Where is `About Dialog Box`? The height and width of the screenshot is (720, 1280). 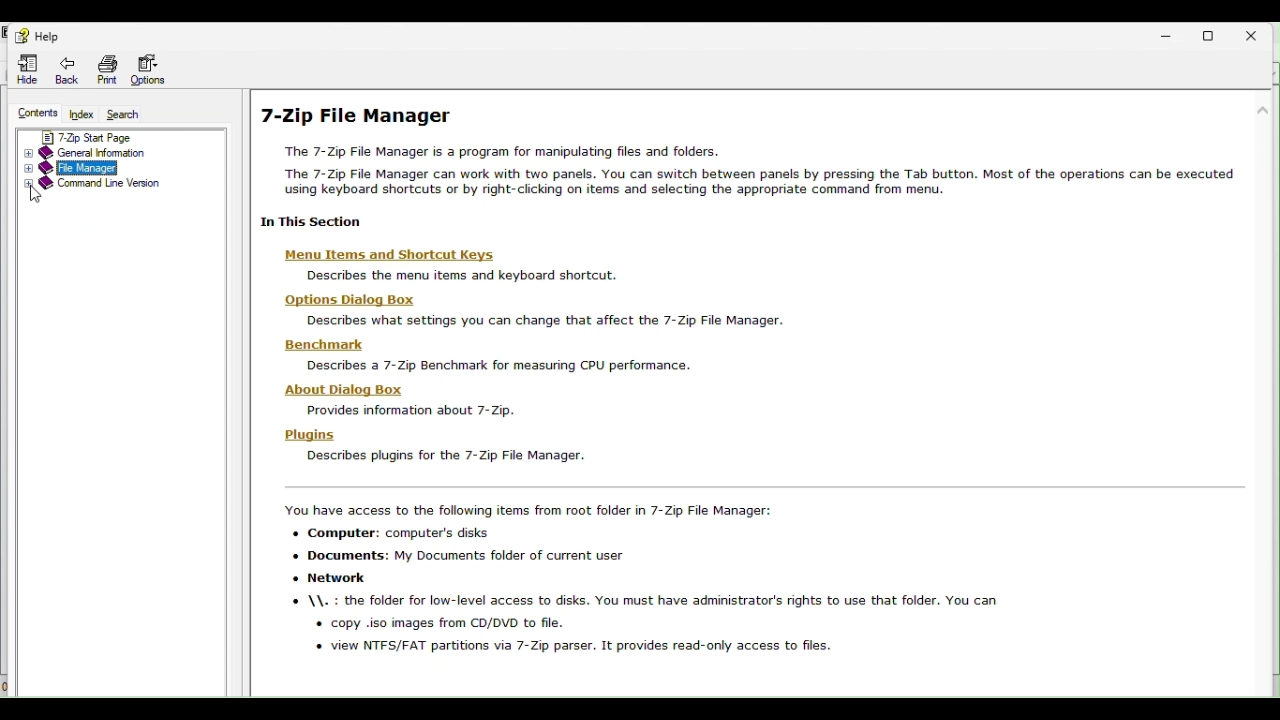
About Dialog Box is located at coordinates (424, 398).